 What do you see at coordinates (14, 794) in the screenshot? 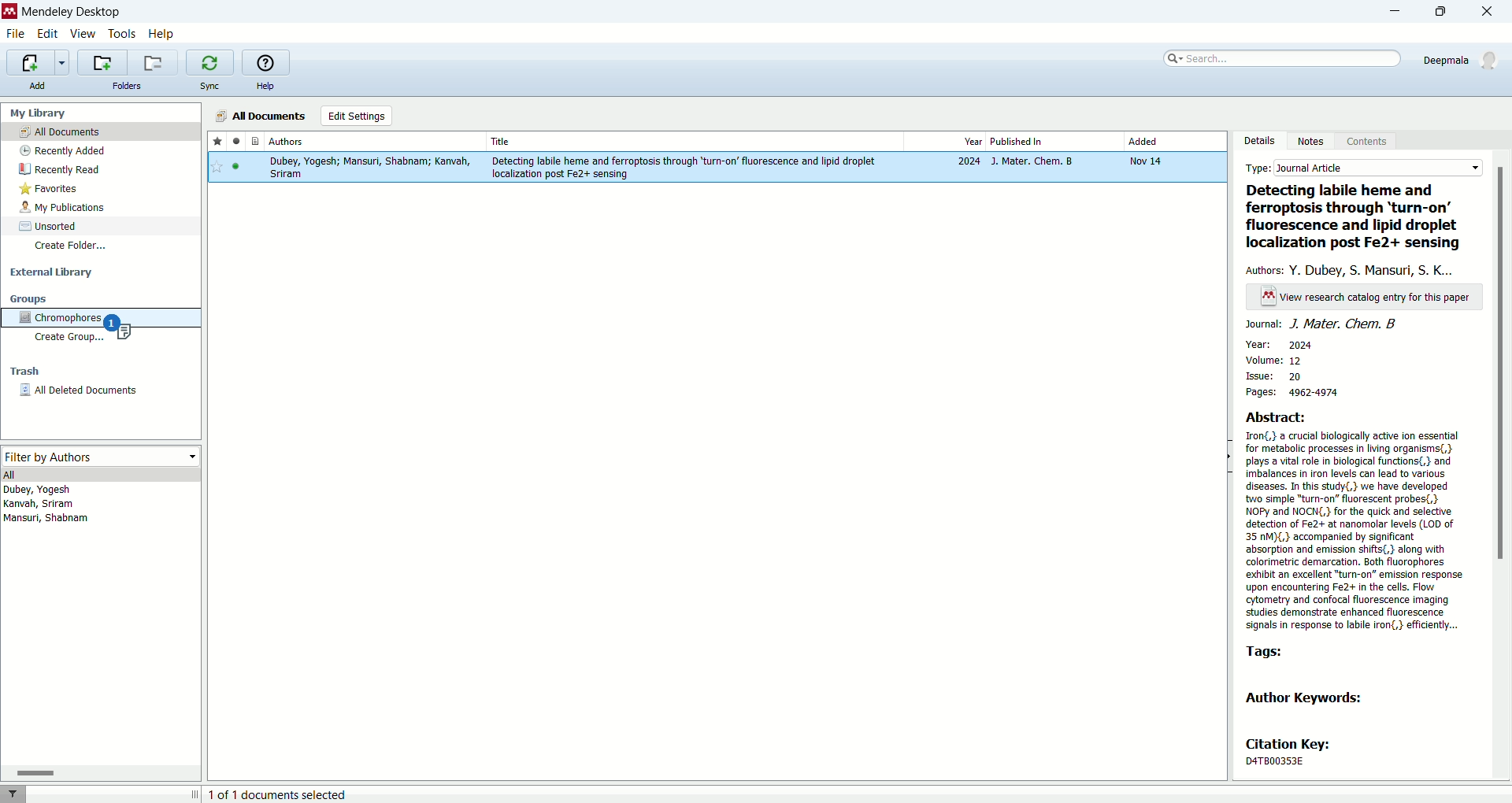
I see `filter` at bounding box center [14, 794].